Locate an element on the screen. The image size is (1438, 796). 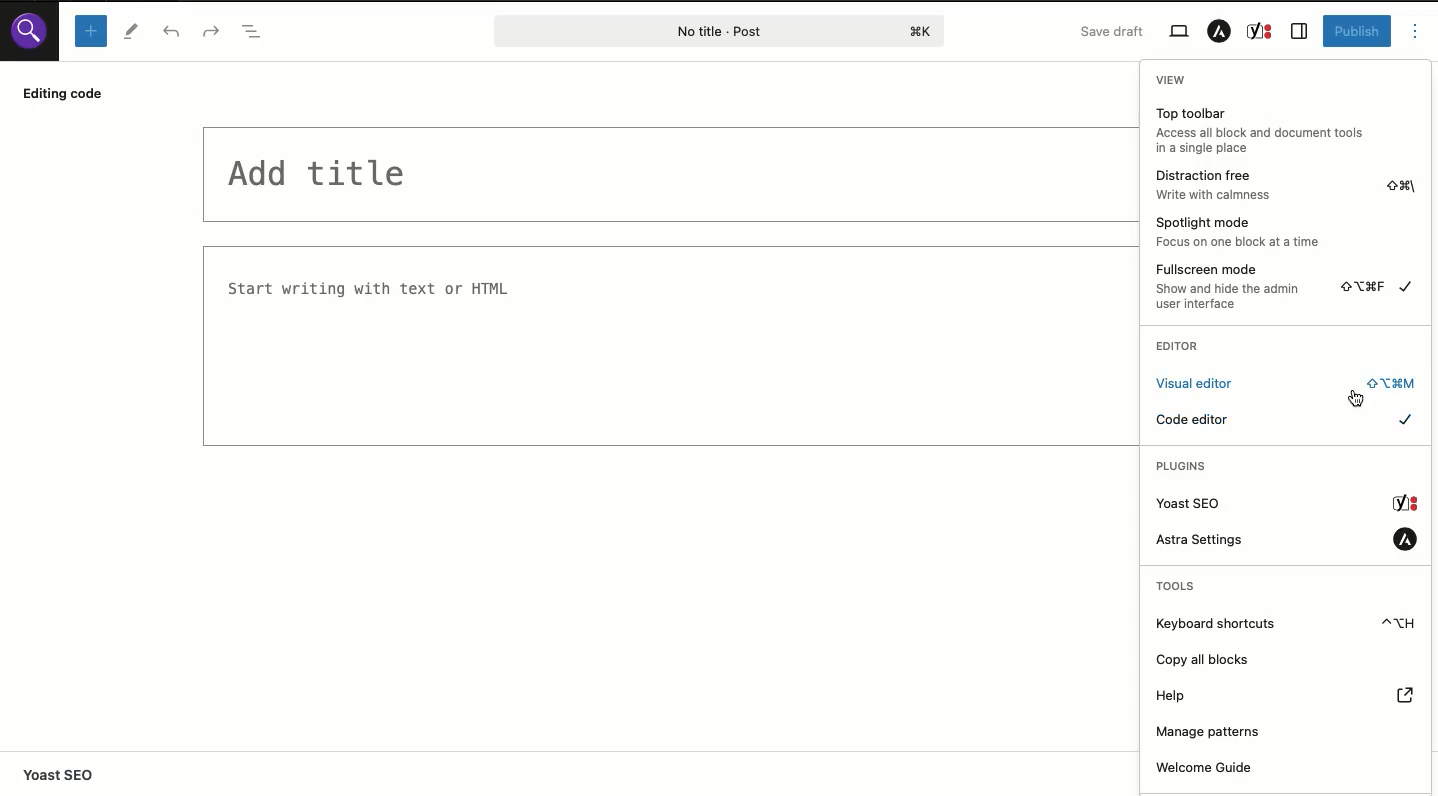
Plugins is located at coordinates (1182, 467).